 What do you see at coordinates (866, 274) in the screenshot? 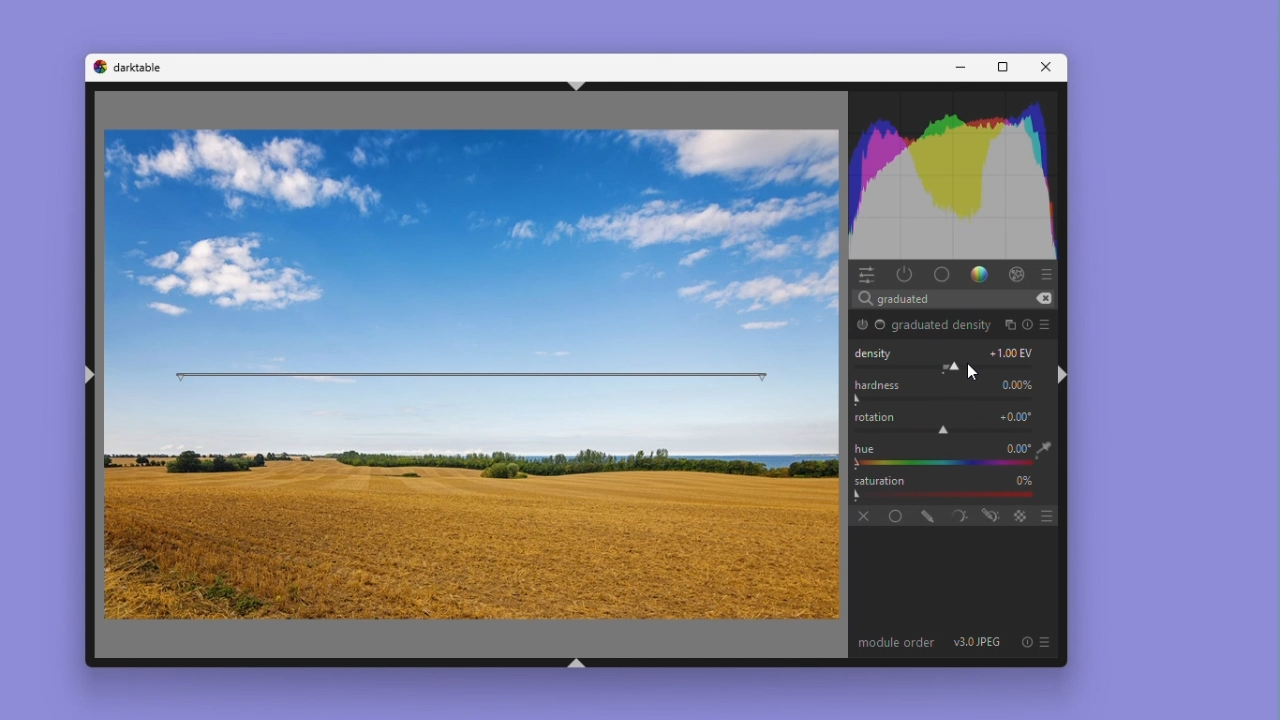
I see `Quick access` at bounding box center [866, 274].